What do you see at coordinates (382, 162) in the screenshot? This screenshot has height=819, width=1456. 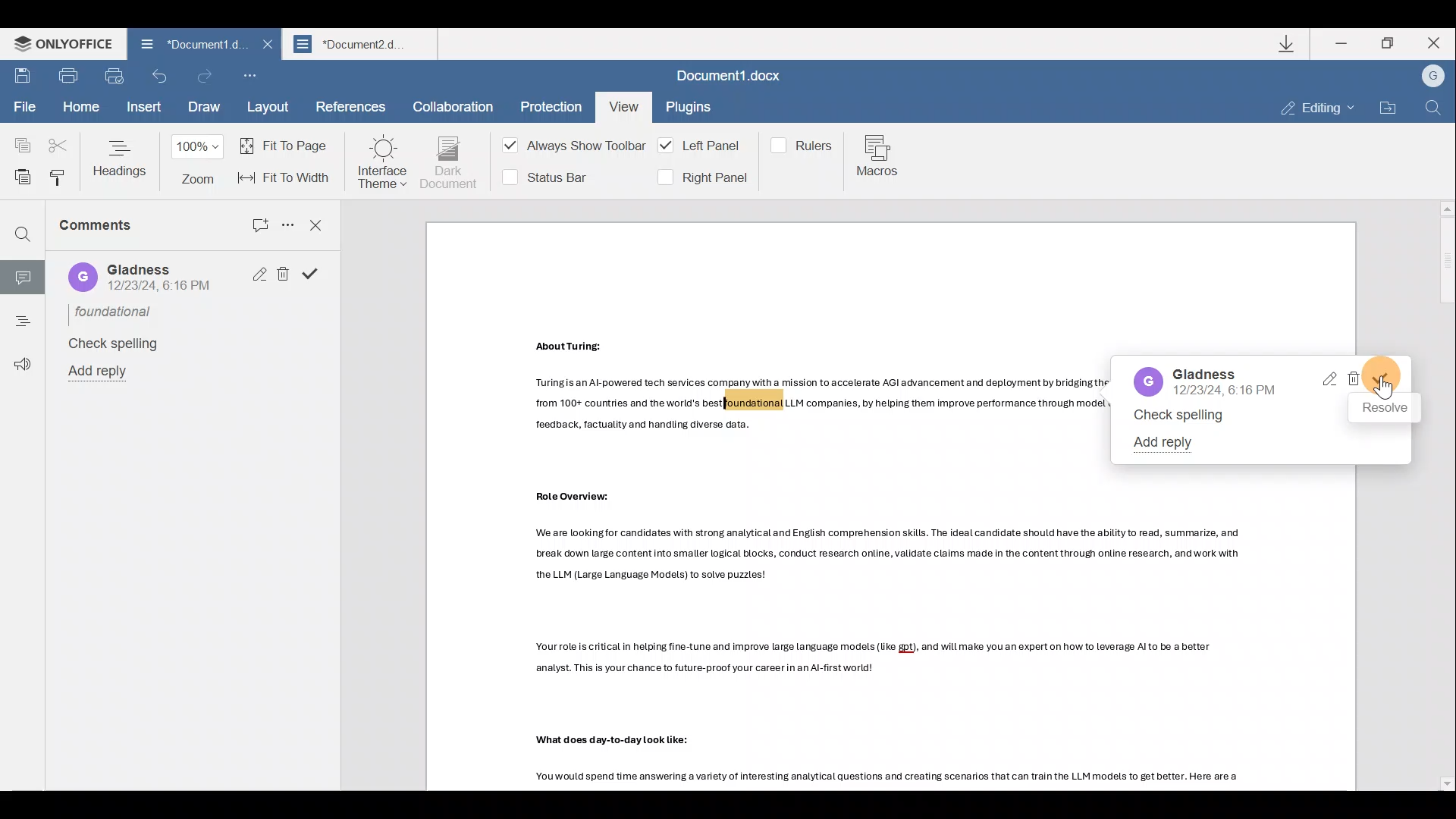 I see `Interface theme` at bounding box center [382, 162].